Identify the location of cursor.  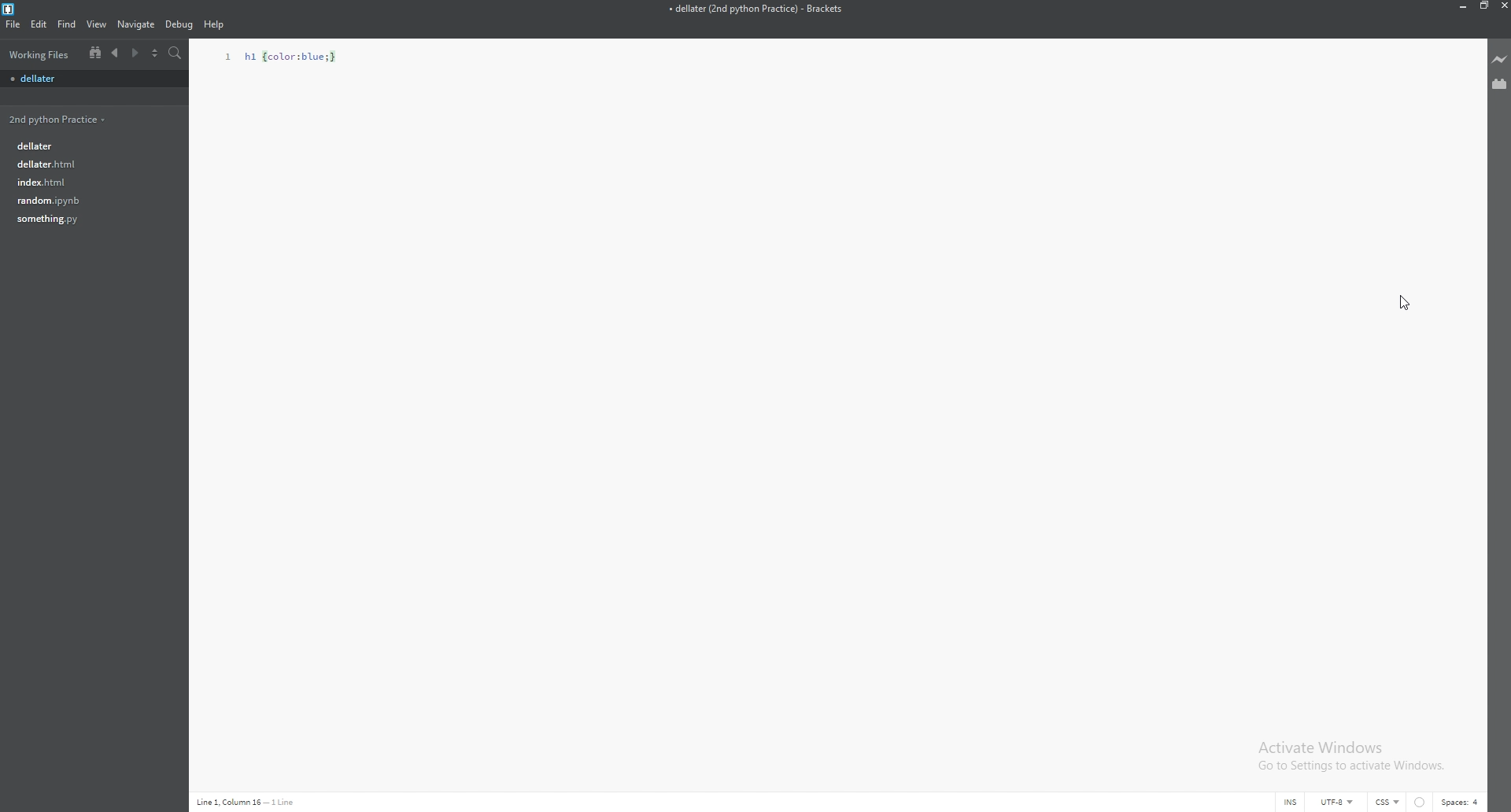
(1410, 304).